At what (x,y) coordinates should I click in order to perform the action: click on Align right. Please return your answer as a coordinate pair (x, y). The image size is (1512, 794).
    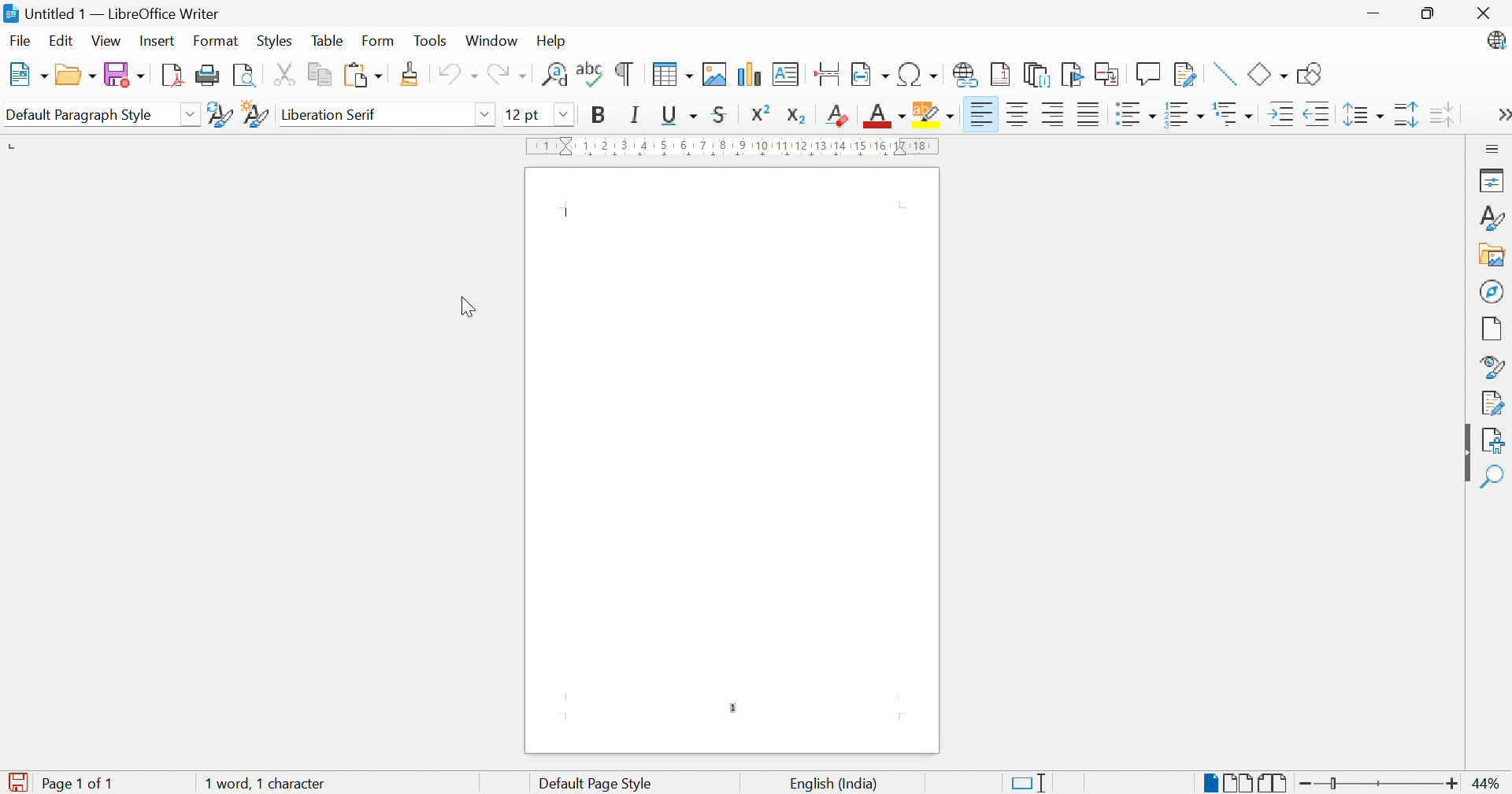
    Looking at the image, I should click on (1053, 114).